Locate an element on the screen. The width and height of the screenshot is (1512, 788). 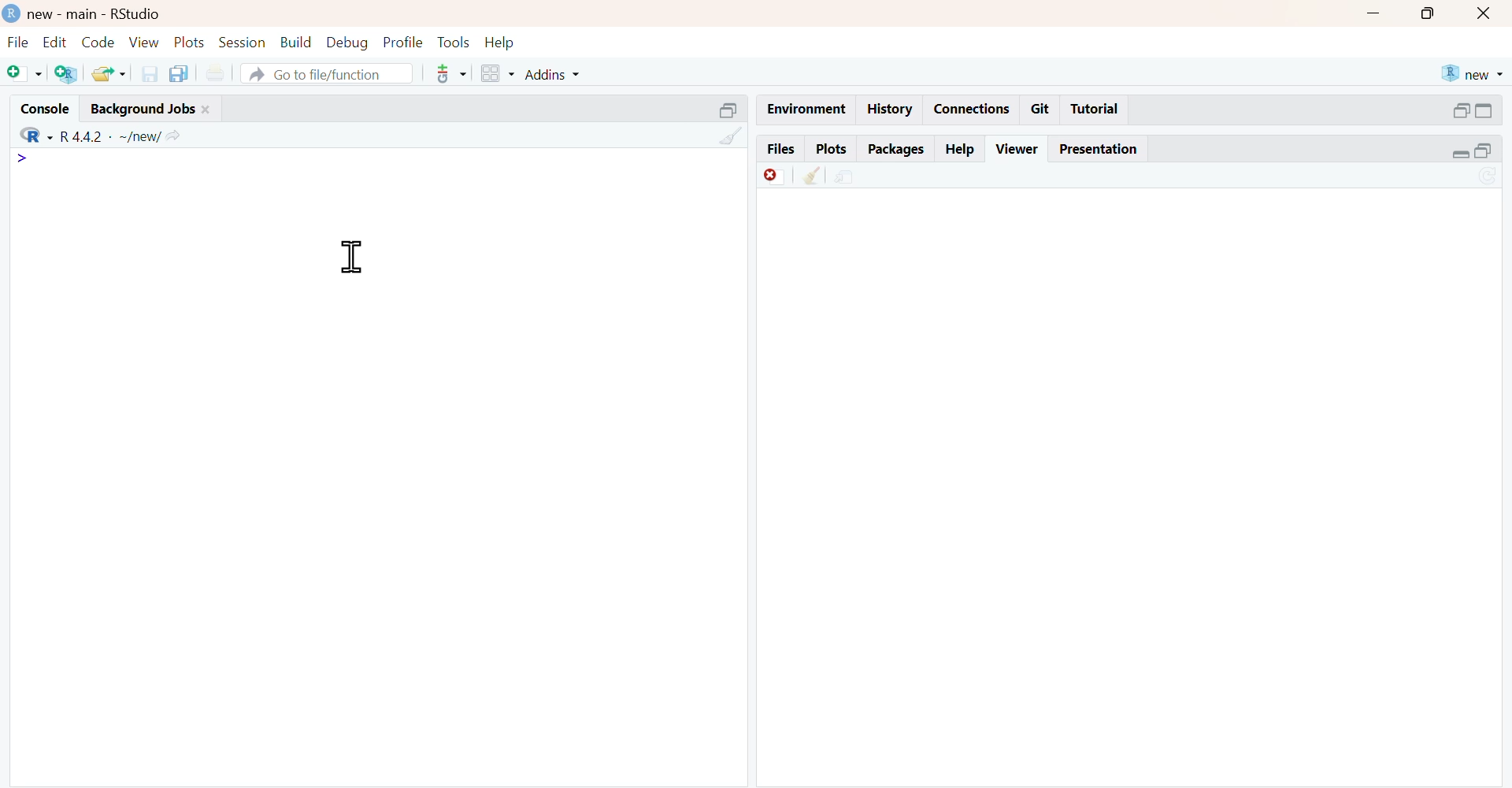
clean is located at coordinates (732, 136).